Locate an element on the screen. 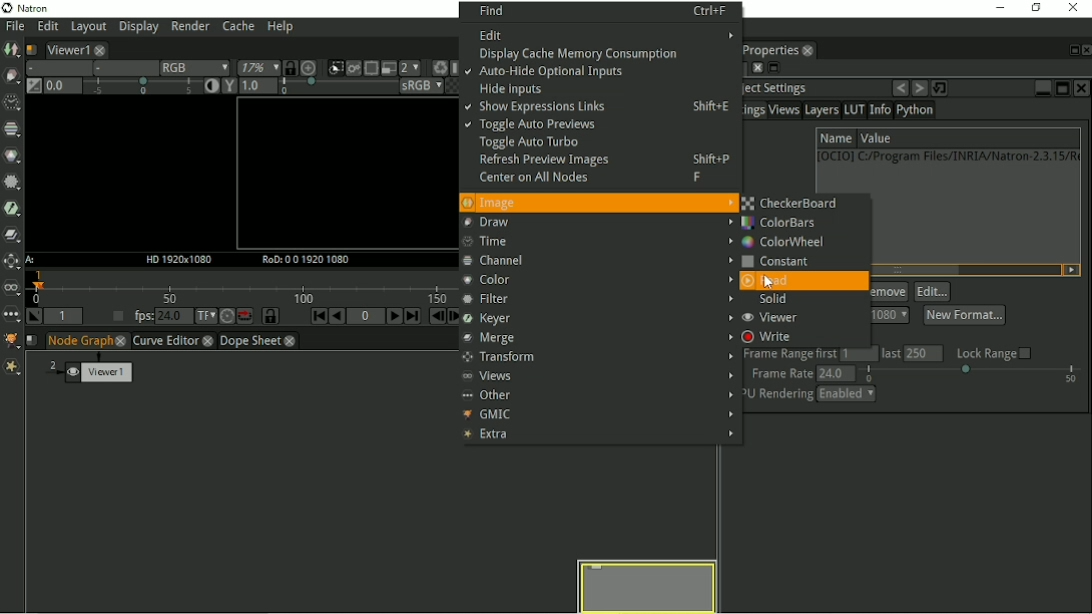 This screenshot has width=1092, height=614. Minimize is located at coordinates (1042, 86).